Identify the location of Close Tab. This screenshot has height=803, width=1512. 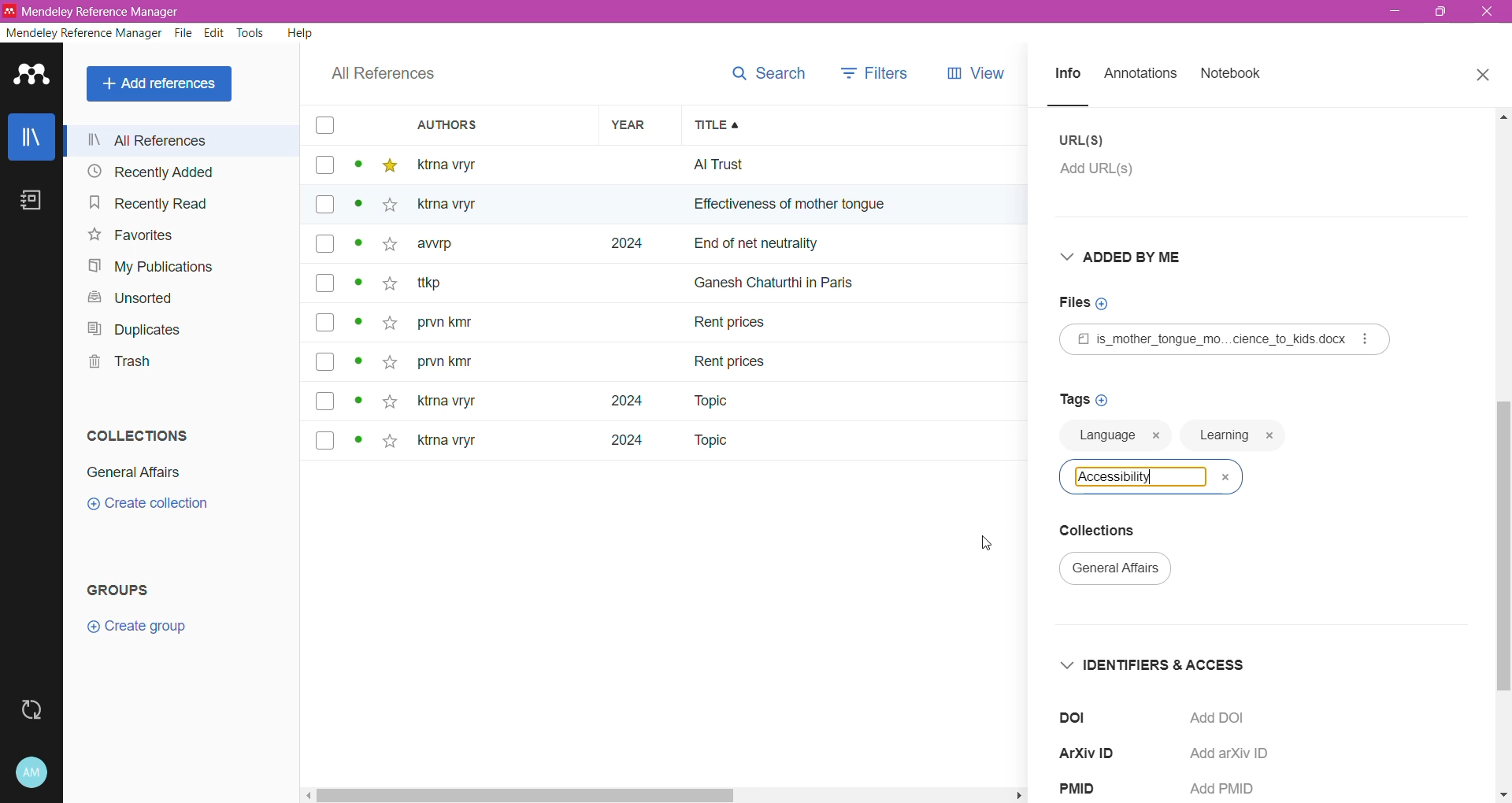
(1485, 76).